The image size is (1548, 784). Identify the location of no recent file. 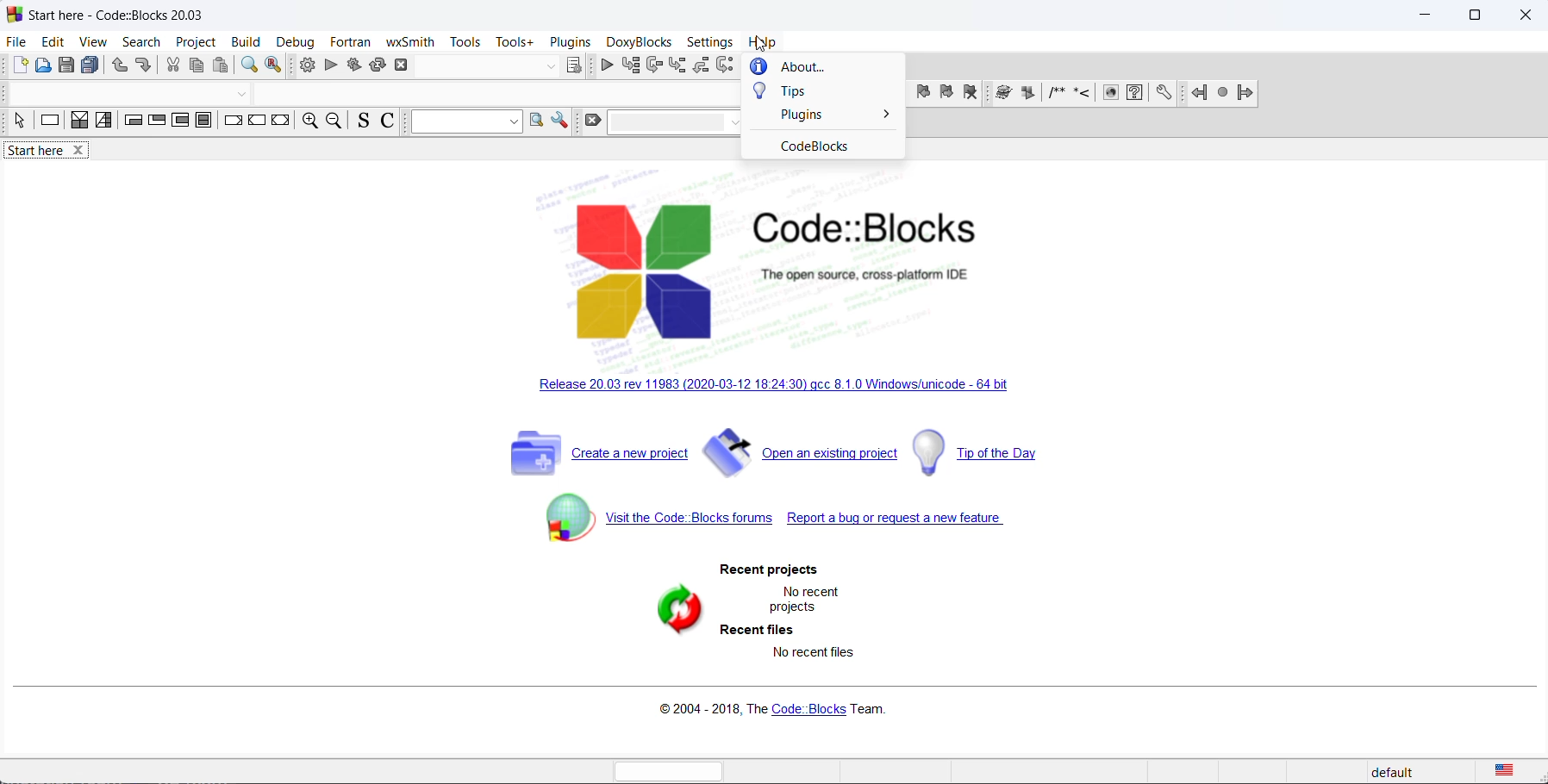
(812, 654).